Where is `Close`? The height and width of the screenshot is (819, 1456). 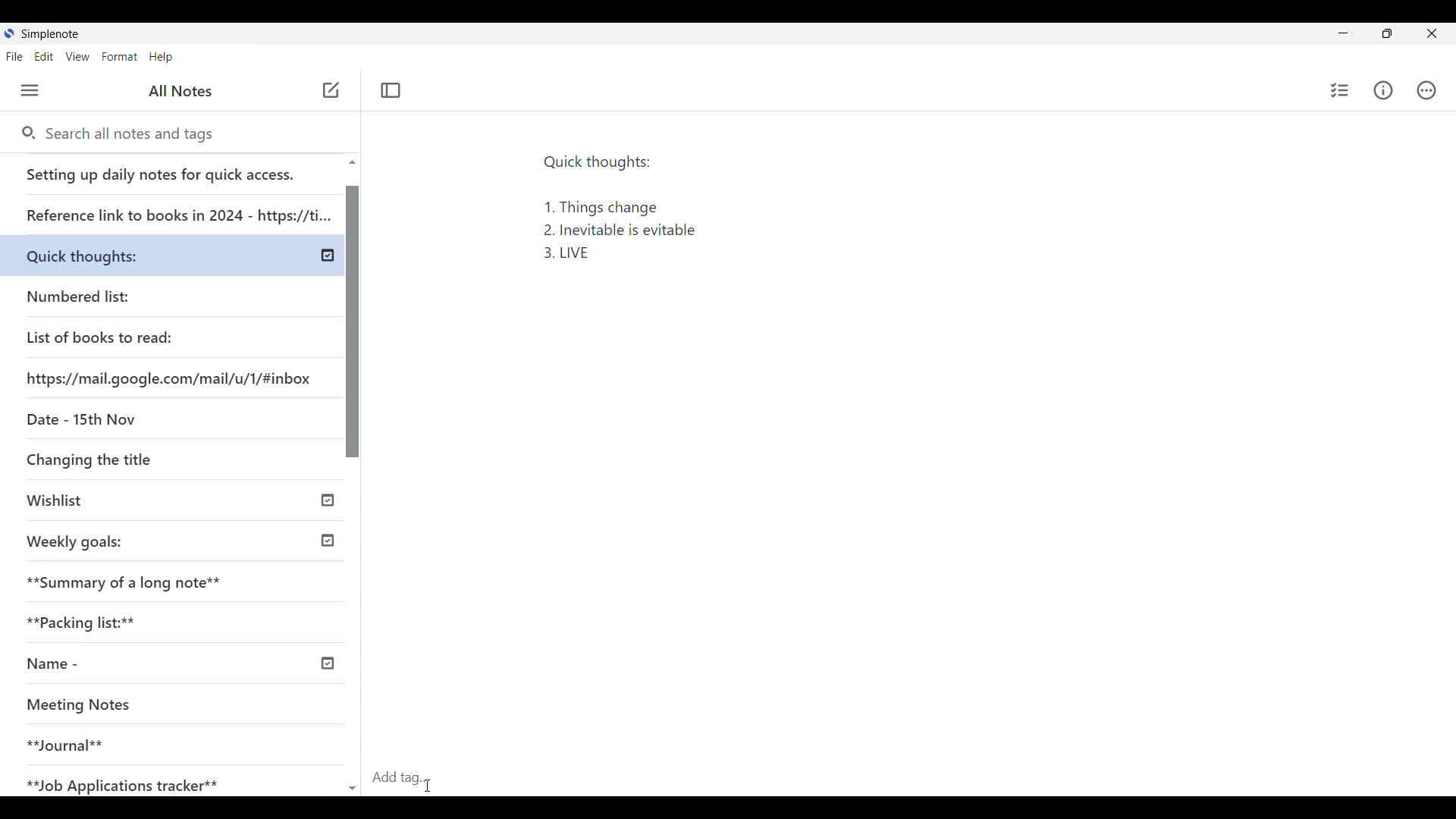
Close is located at coordinates (1432, 33).